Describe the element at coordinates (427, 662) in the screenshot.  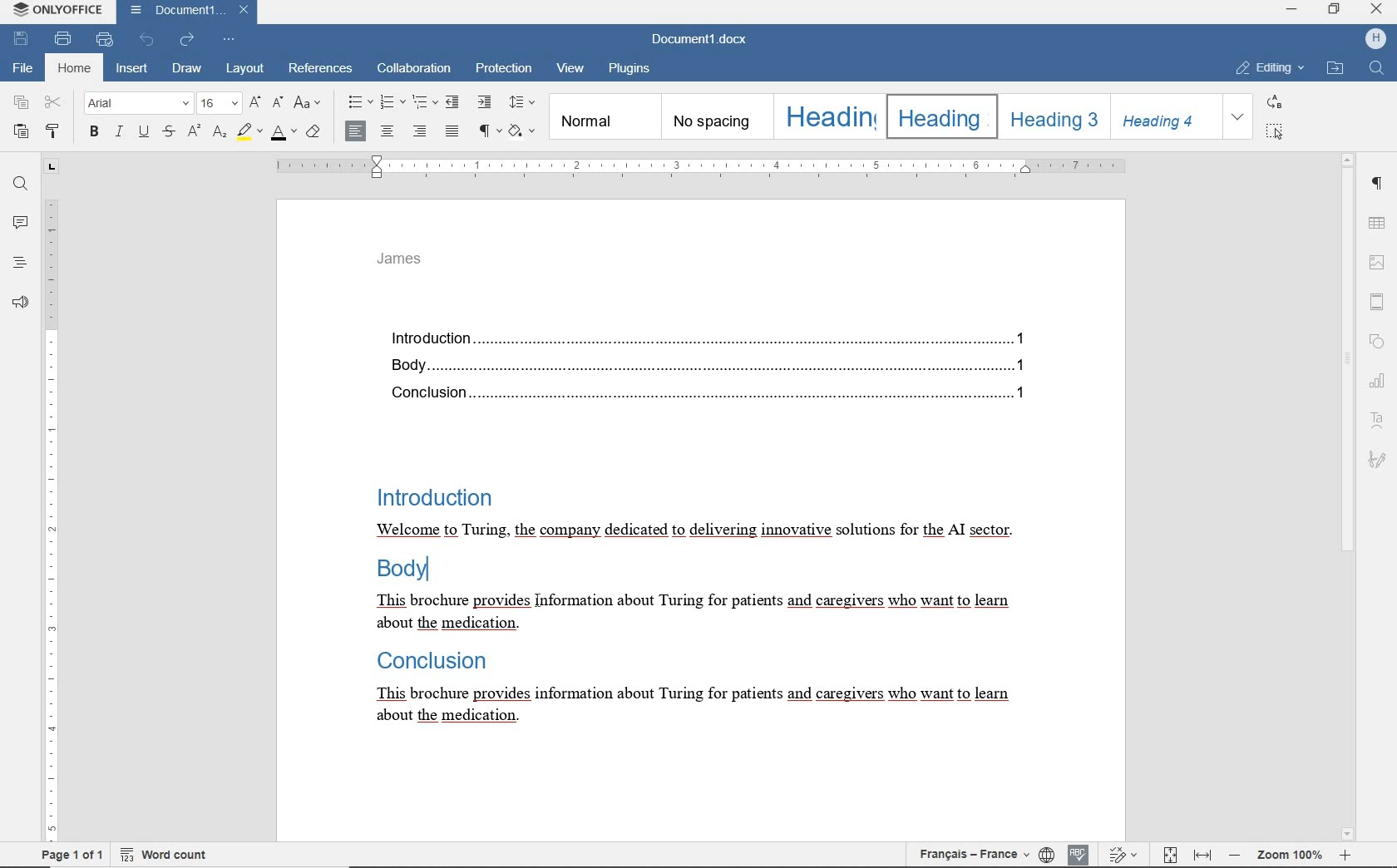
I see `Conclusion` at that location.